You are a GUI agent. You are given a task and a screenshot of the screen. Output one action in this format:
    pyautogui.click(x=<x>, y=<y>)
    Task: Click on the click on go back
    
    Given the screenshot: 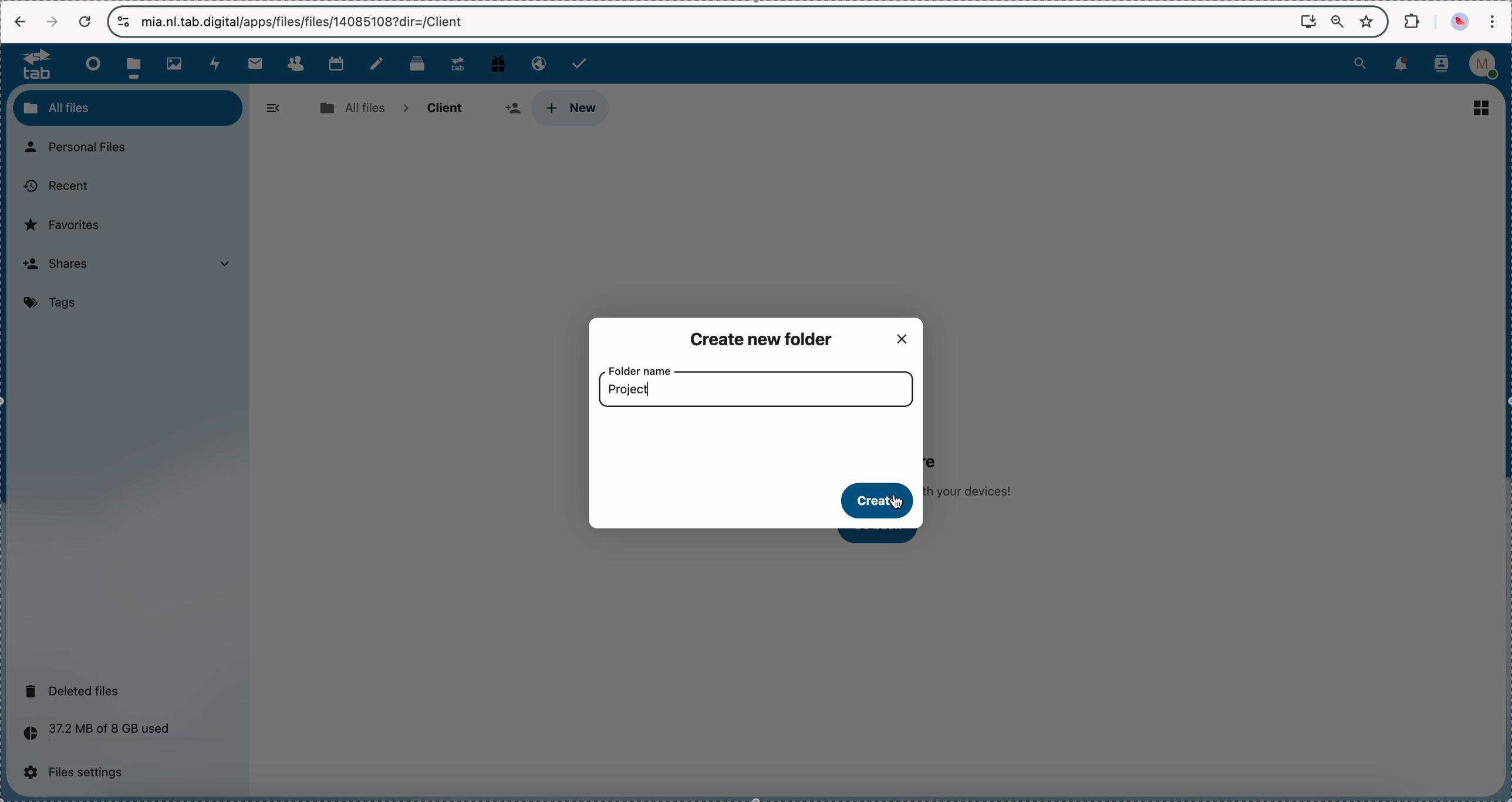 What is the action you would take?
    pyautogui.click(x=885, y=537)
    